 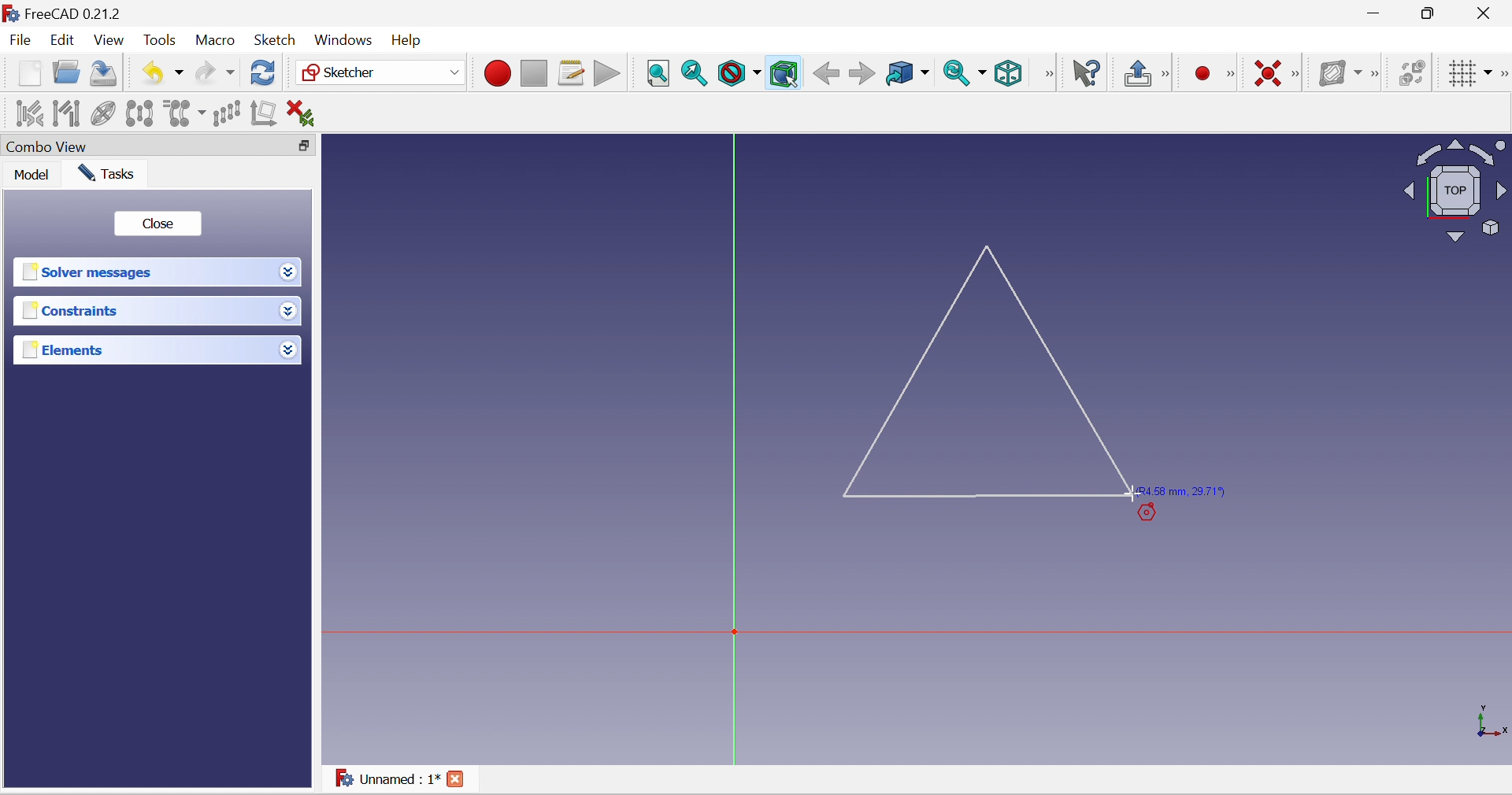 I want to click on [View], so click(x=1044, y=72).